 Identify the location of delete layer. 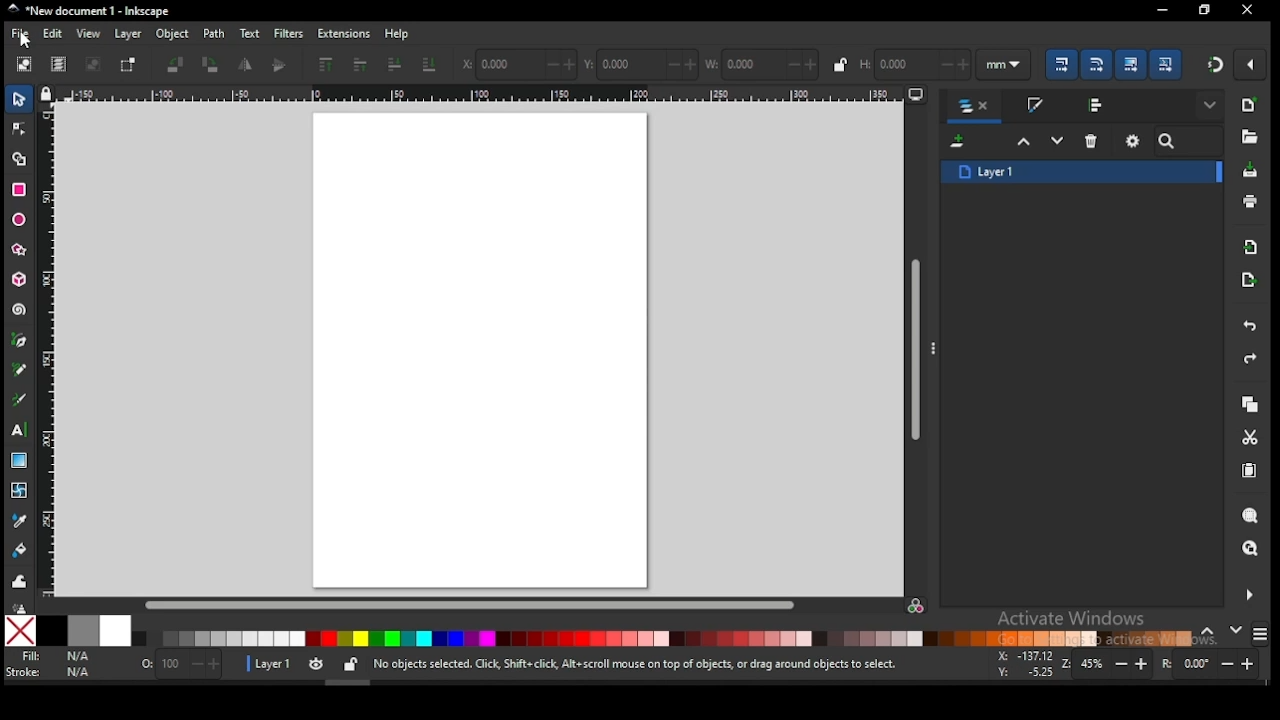
(1092, 140).